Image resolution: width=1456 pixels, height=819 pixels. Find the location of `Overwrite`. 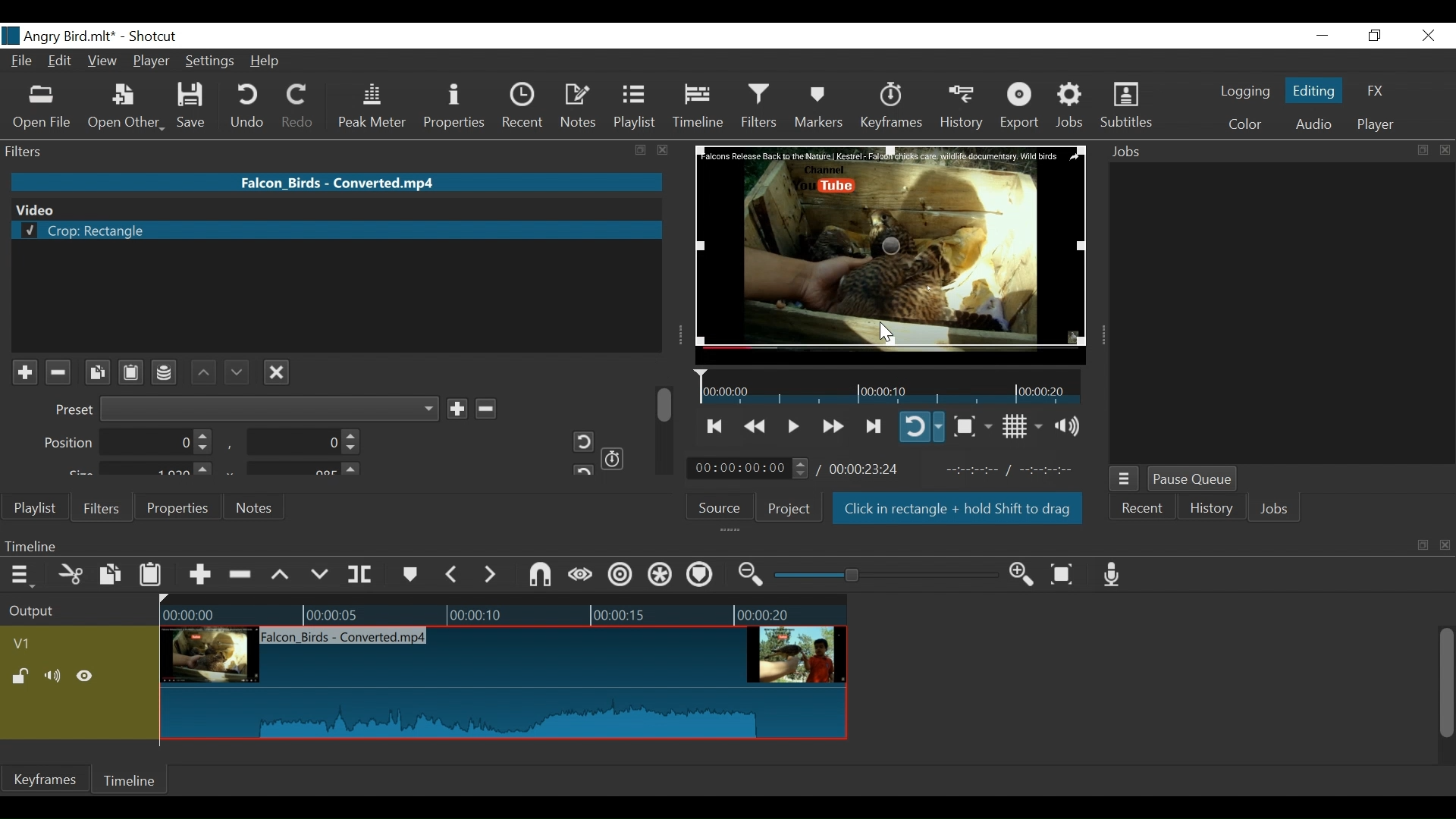

Overwrite is located at coordinates (320, 575).